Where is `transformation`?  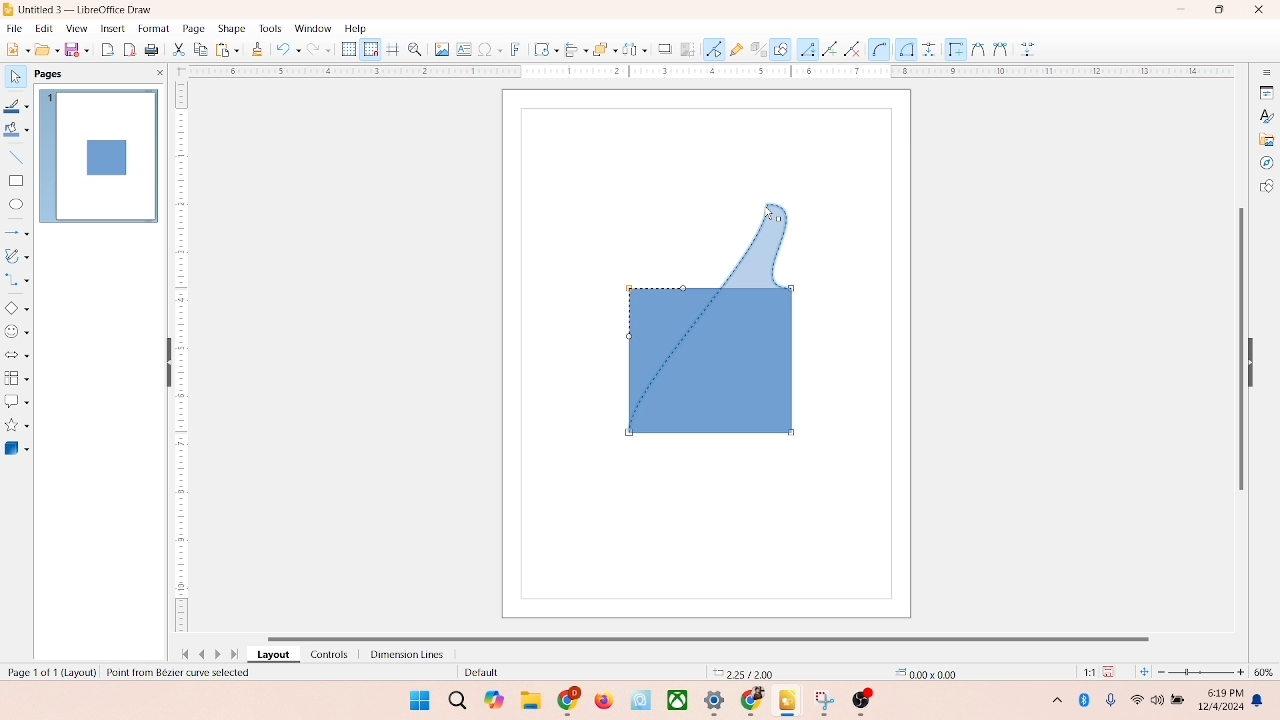
transformation is located at coordinates (541, 49).